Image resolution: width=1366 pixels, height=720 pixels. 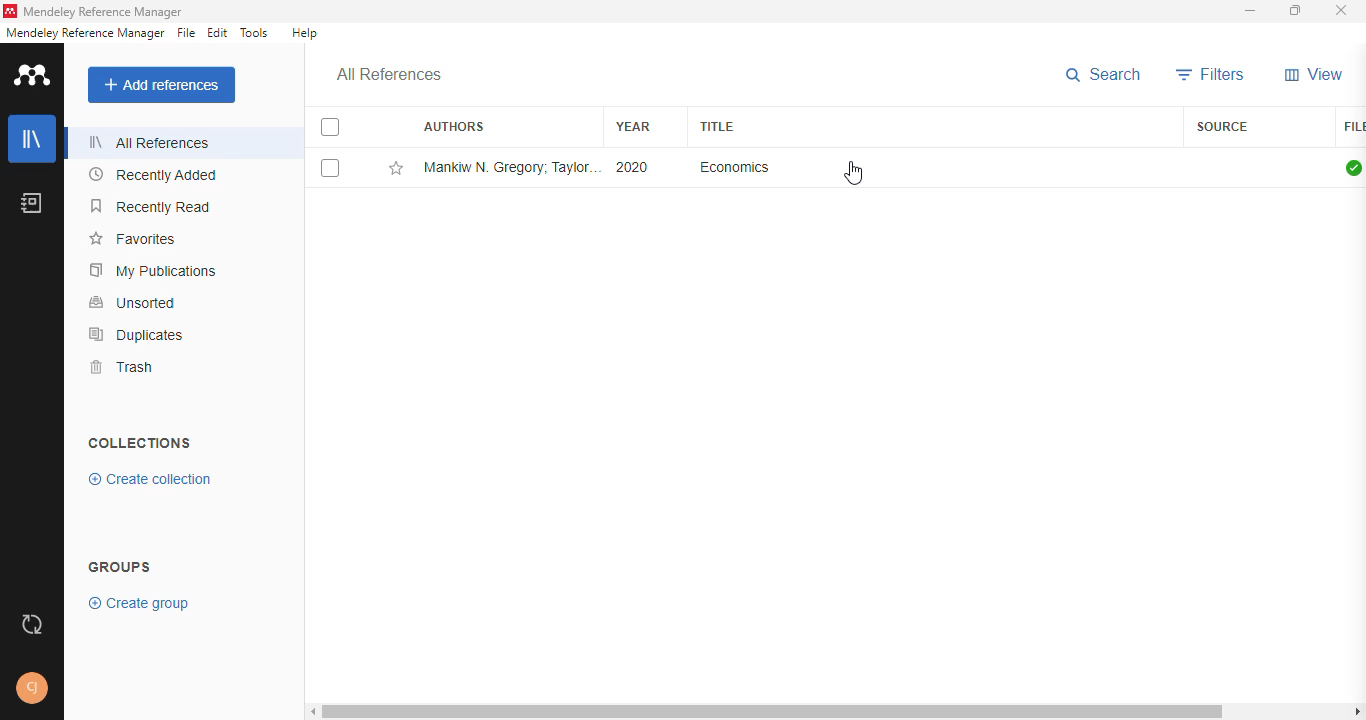 What do you see at coordinates (1352, 126) in the screenshot?
I see `file` at bounding box center [1352, 126].